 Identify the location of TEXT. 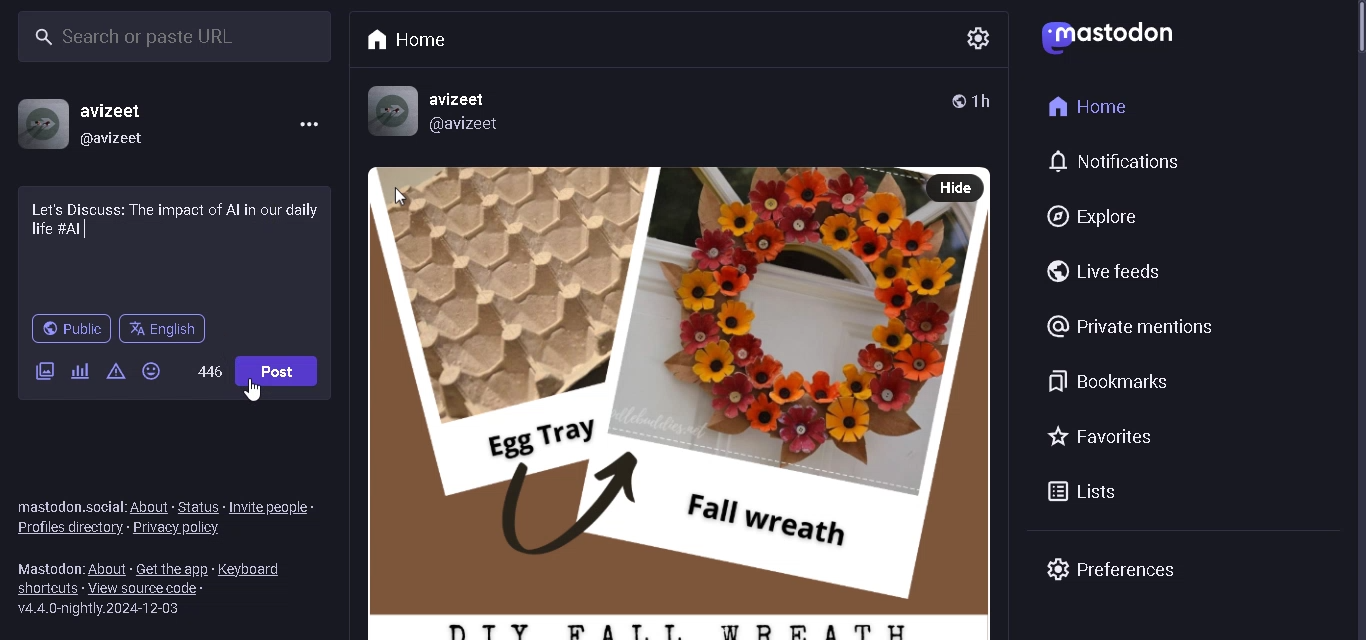
(67, 507).